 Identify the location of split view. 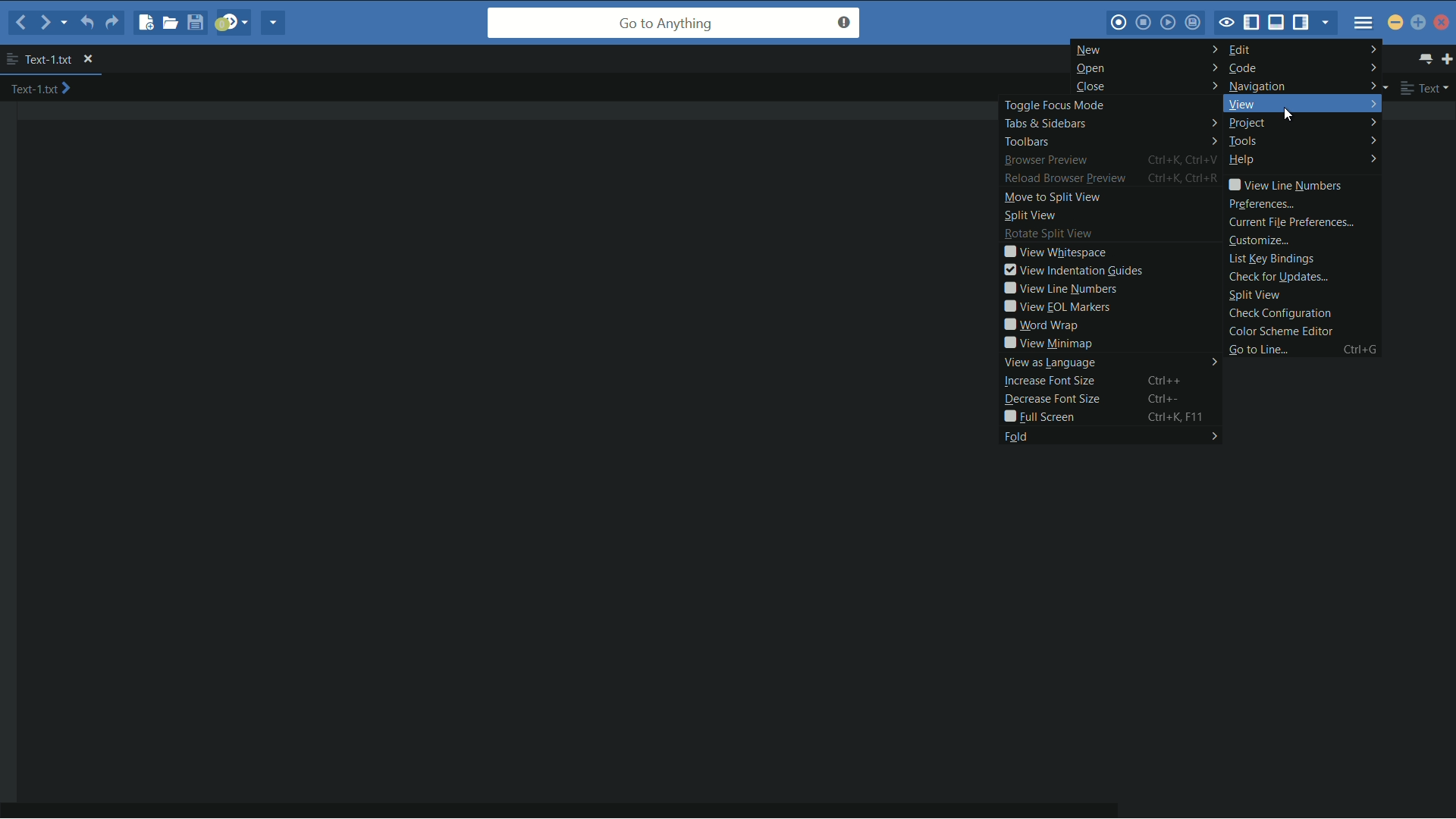
(1026, 216).